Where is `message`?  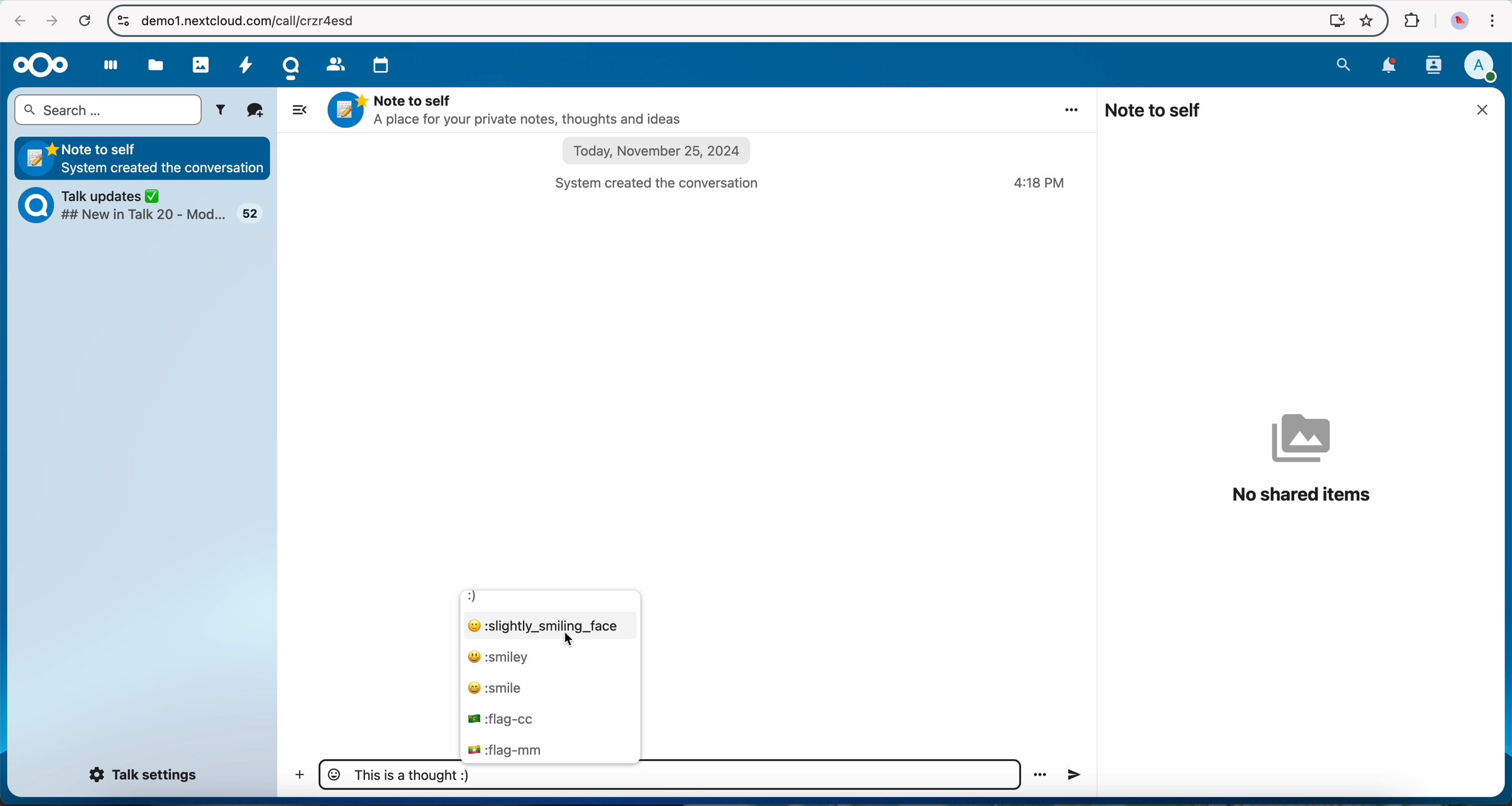
message is located at coordinates (415, 775).